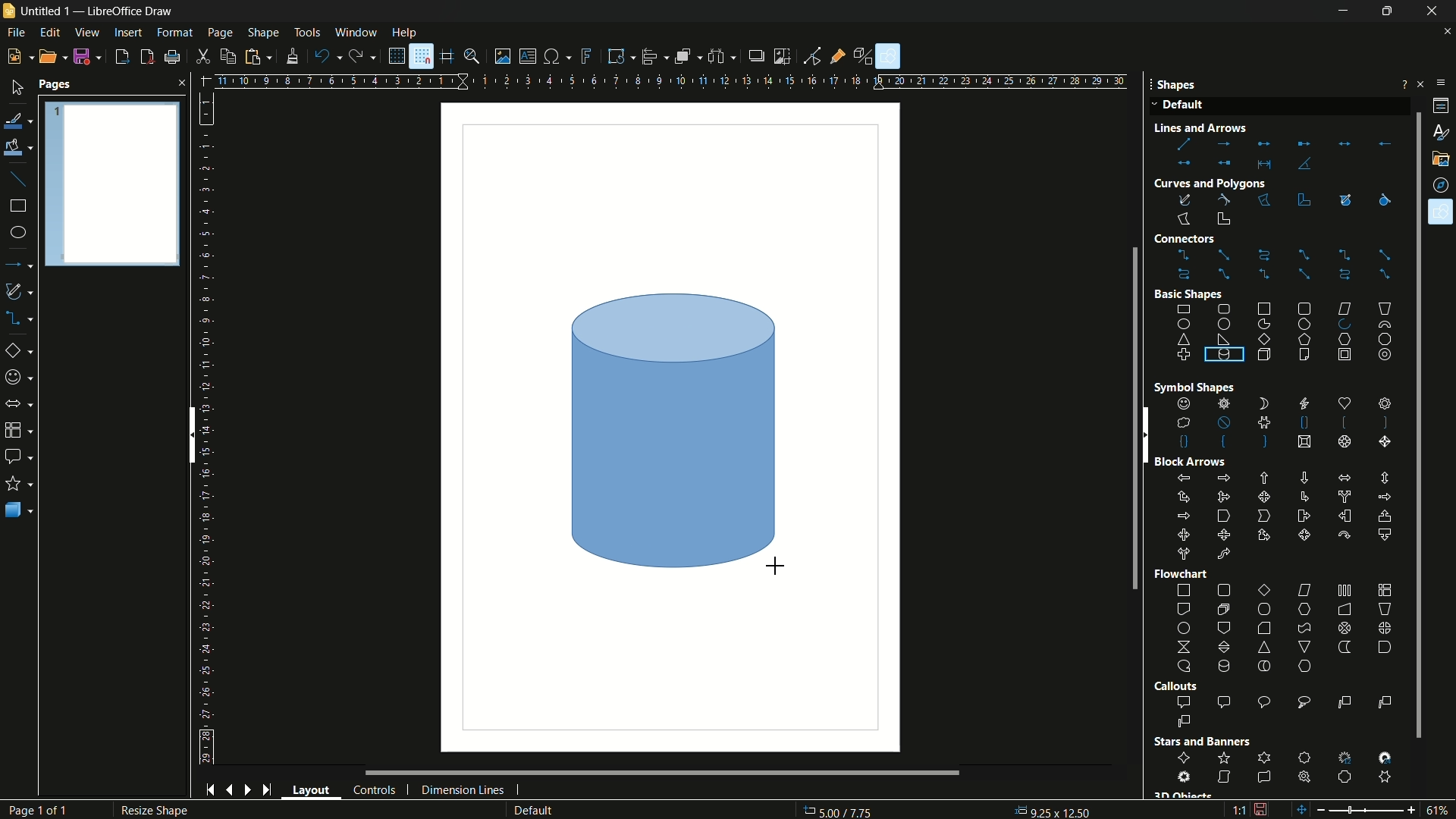 This screenshot has height=819, width=1456. What do you see at coordinates (20, 483) in the screenshot?
I see `stars and banners` at bounding box center [20, 483].